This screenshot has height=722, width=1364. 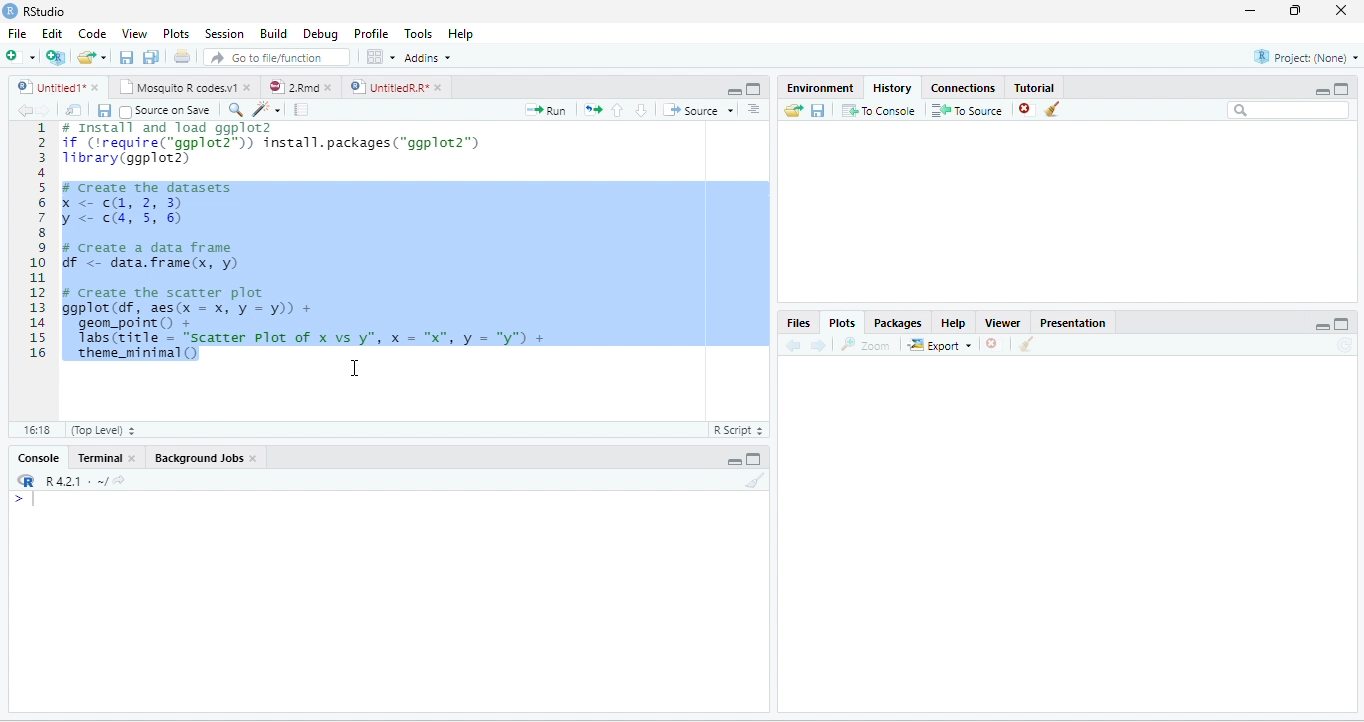 I want to click on Minimize, so click(x=1322, y=326).